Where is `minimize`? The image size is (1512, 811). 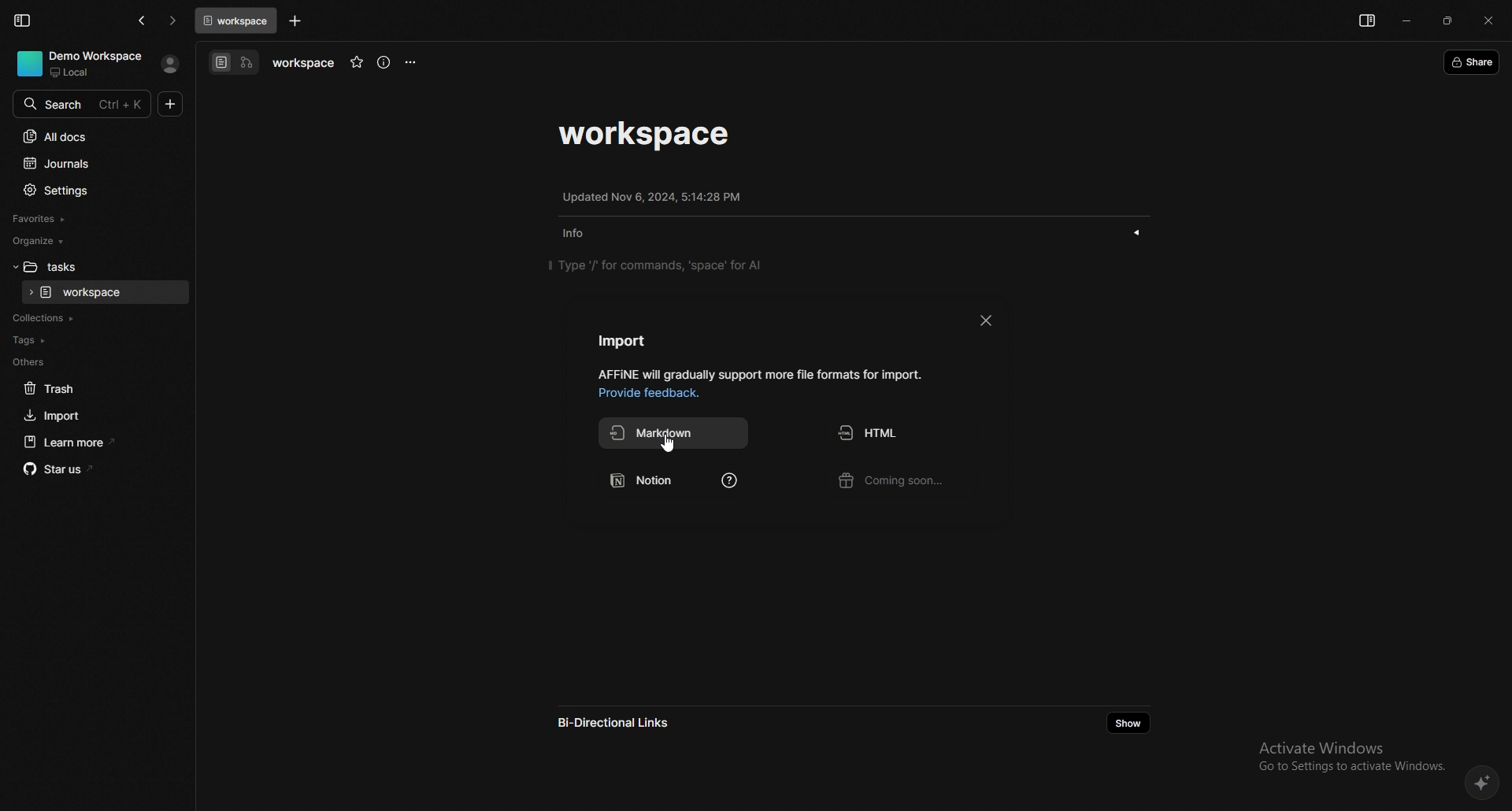
minimize is located at coordinates (1406, 20).